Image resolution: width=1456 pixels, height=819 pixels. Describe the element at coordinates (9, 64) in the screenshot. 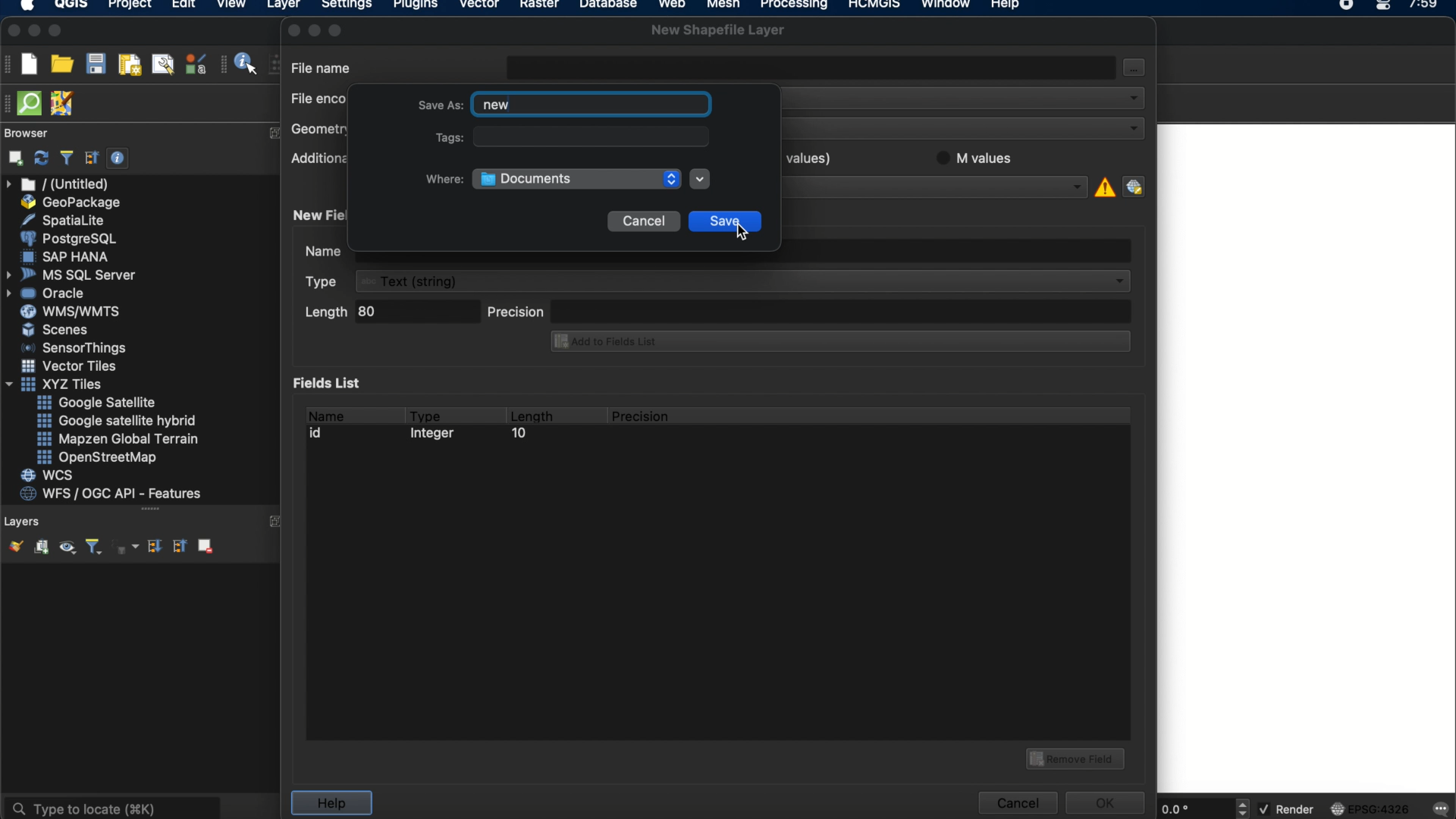

I see `project toolbar` at that location.